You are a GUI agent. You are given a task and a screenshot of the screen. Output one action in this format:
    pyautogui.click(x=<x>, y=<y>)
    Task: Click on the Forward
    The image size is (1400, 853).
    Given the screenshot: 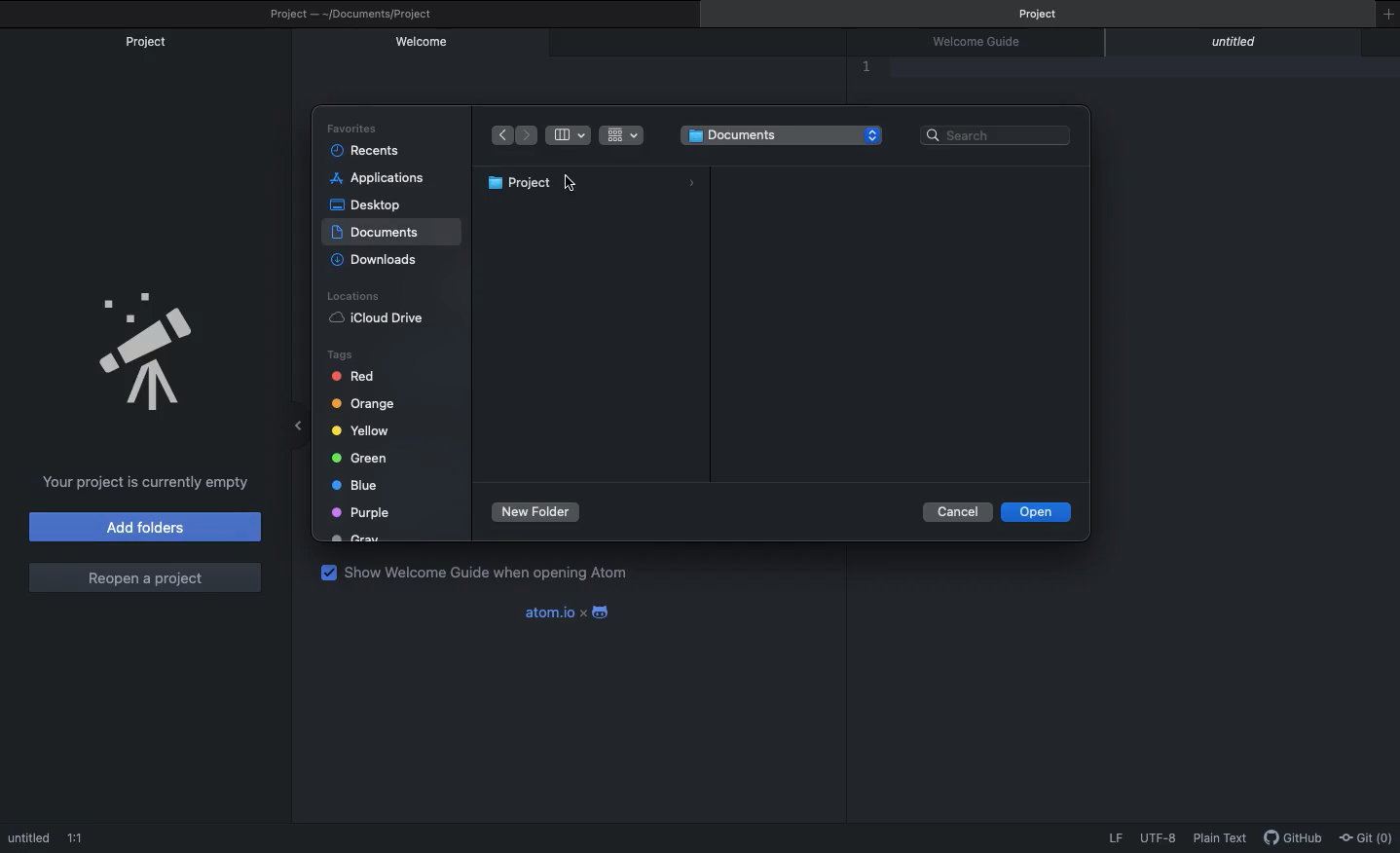 What is the action you would take?
    pyautogui.click(x=527, y=136)
    